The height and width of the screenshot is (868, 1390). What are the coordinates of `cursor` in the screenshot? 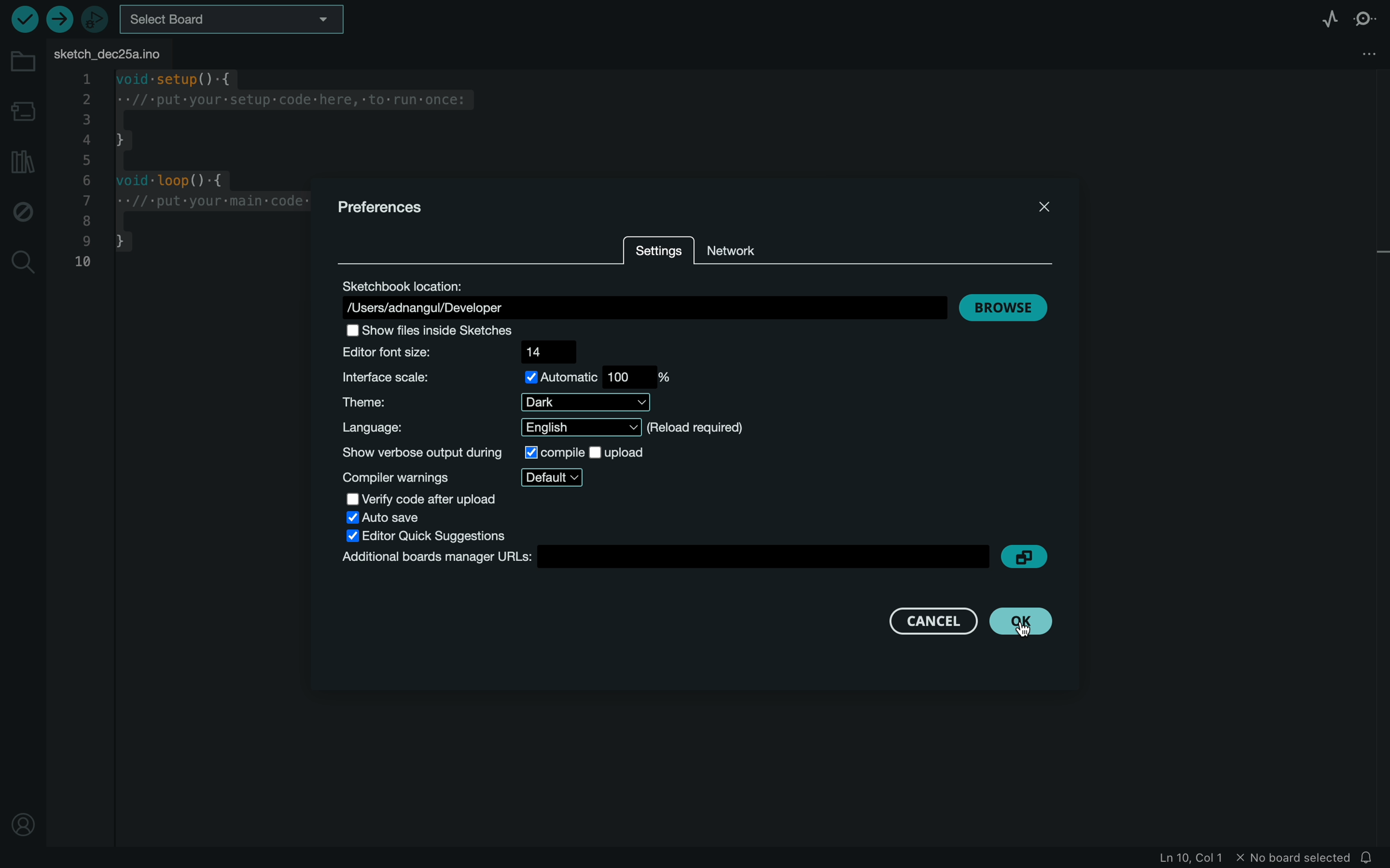 It's located at (1027, 629).